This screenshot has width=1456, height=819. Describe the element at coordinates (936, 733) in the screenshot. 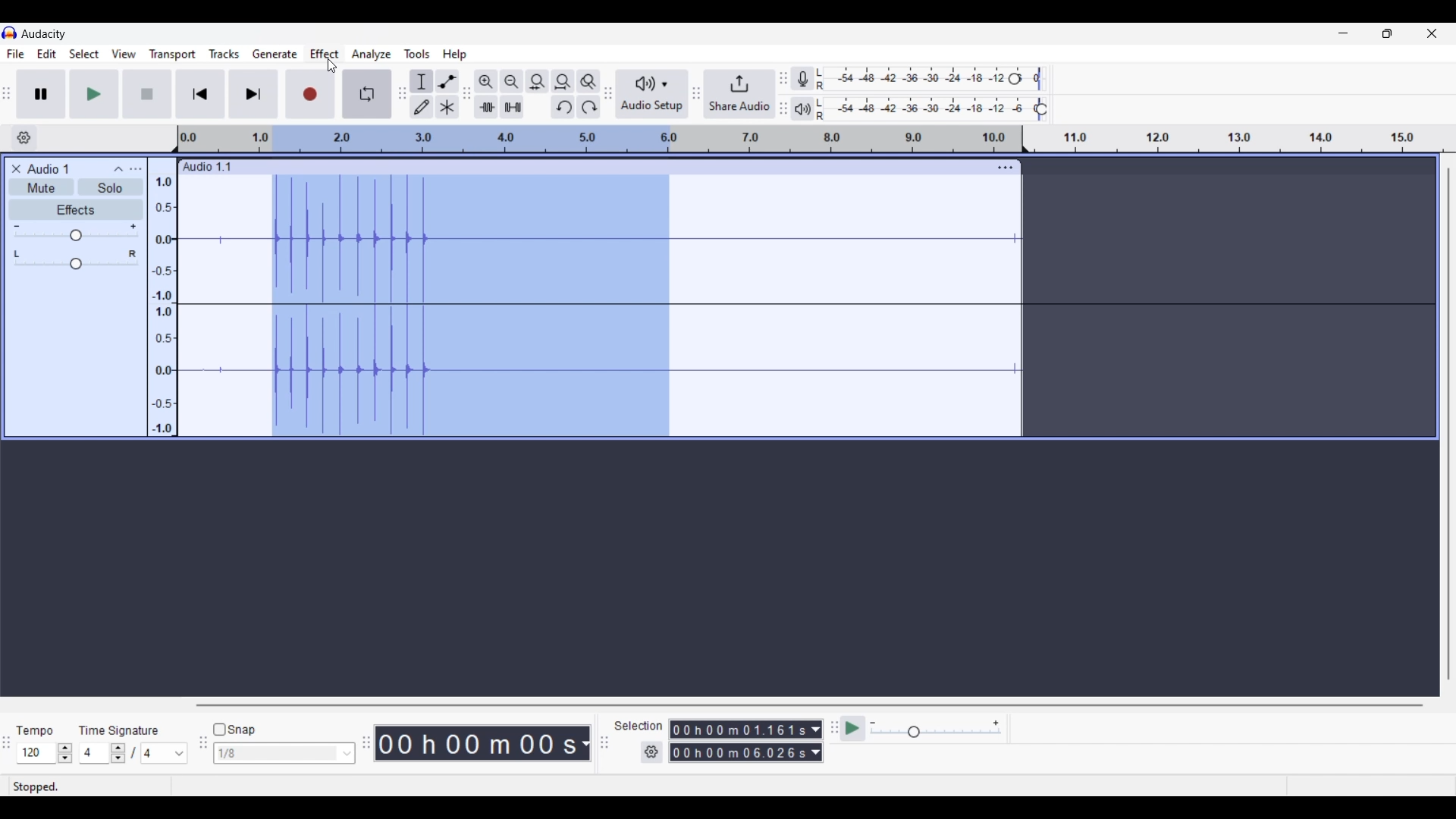

I see `Slider to change playback speed` at that location.